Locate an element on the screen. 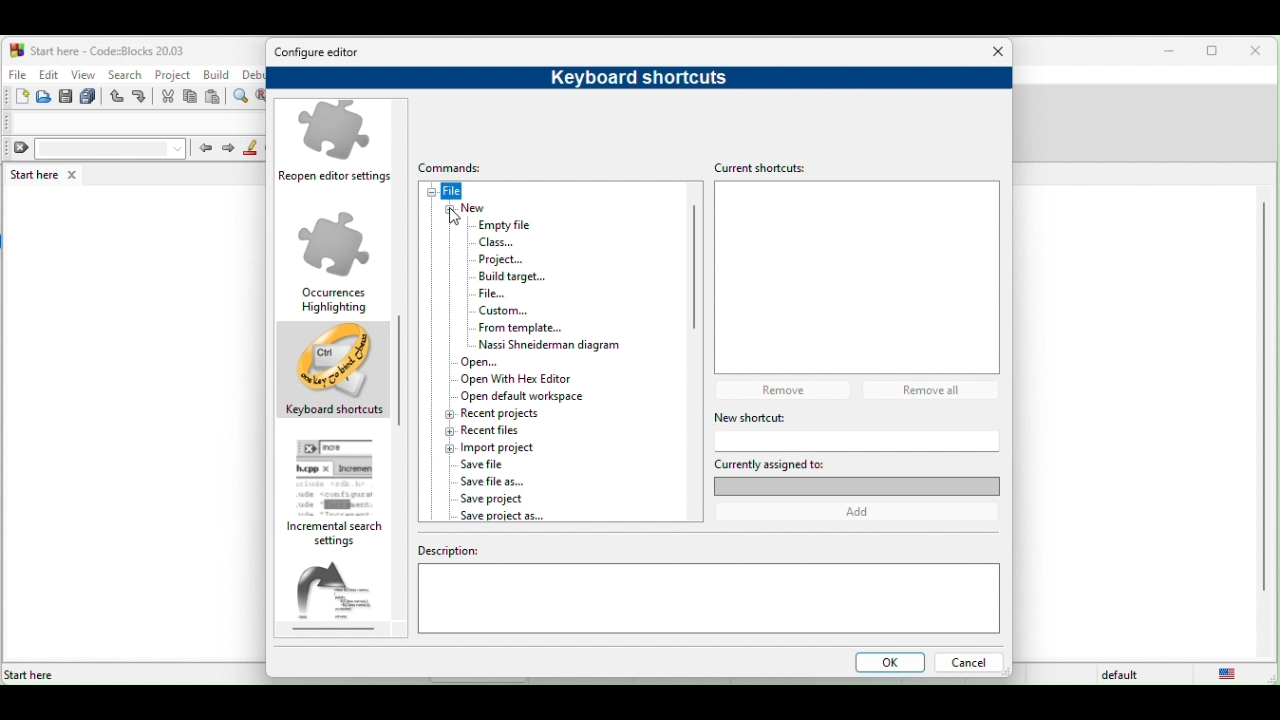 Image resolution: width=1280 pixels, height=720 pixels. cancel is located at coordinates (968, 664).